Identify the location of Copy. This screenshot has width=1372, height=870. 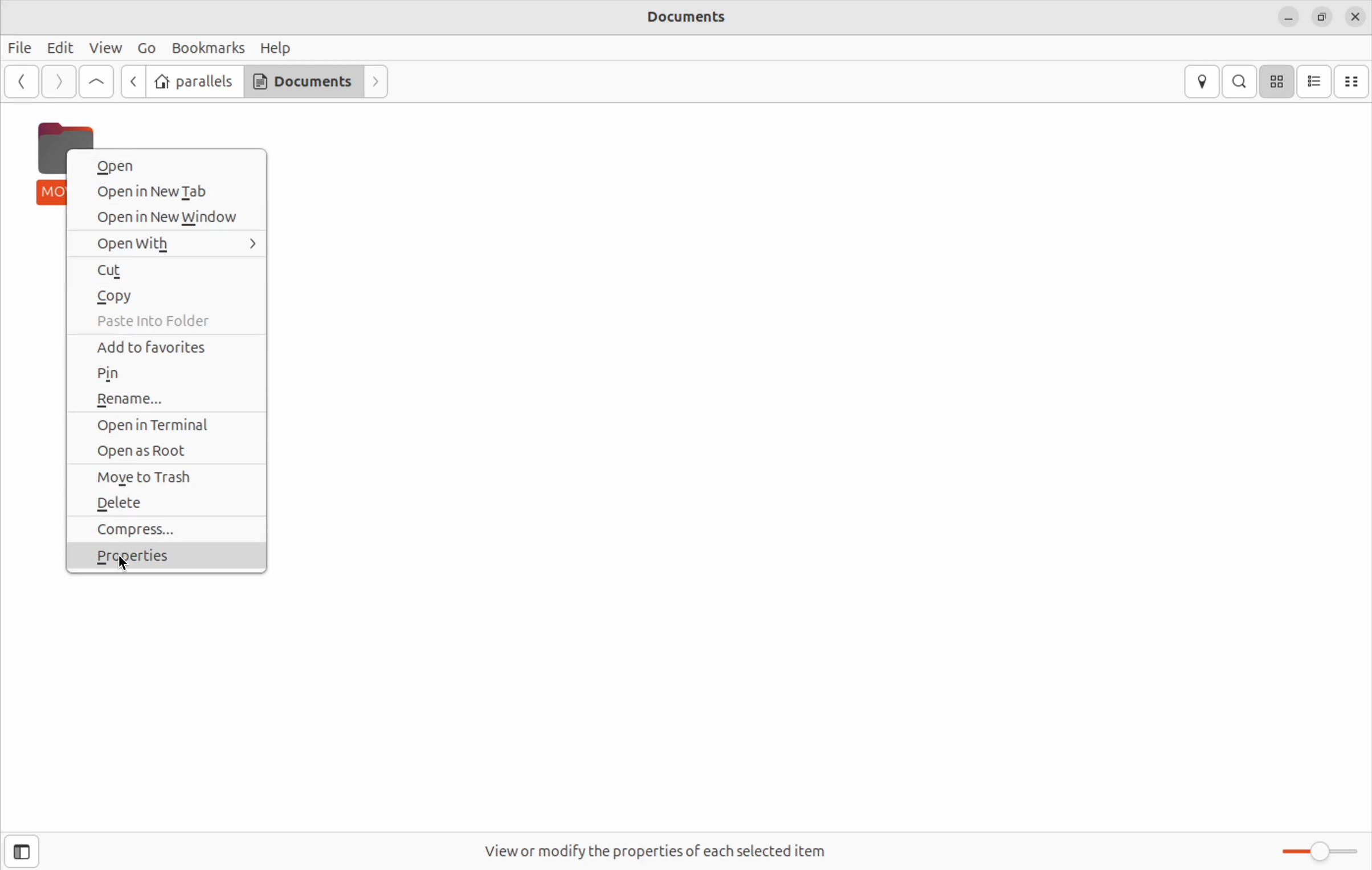
(166, 297).